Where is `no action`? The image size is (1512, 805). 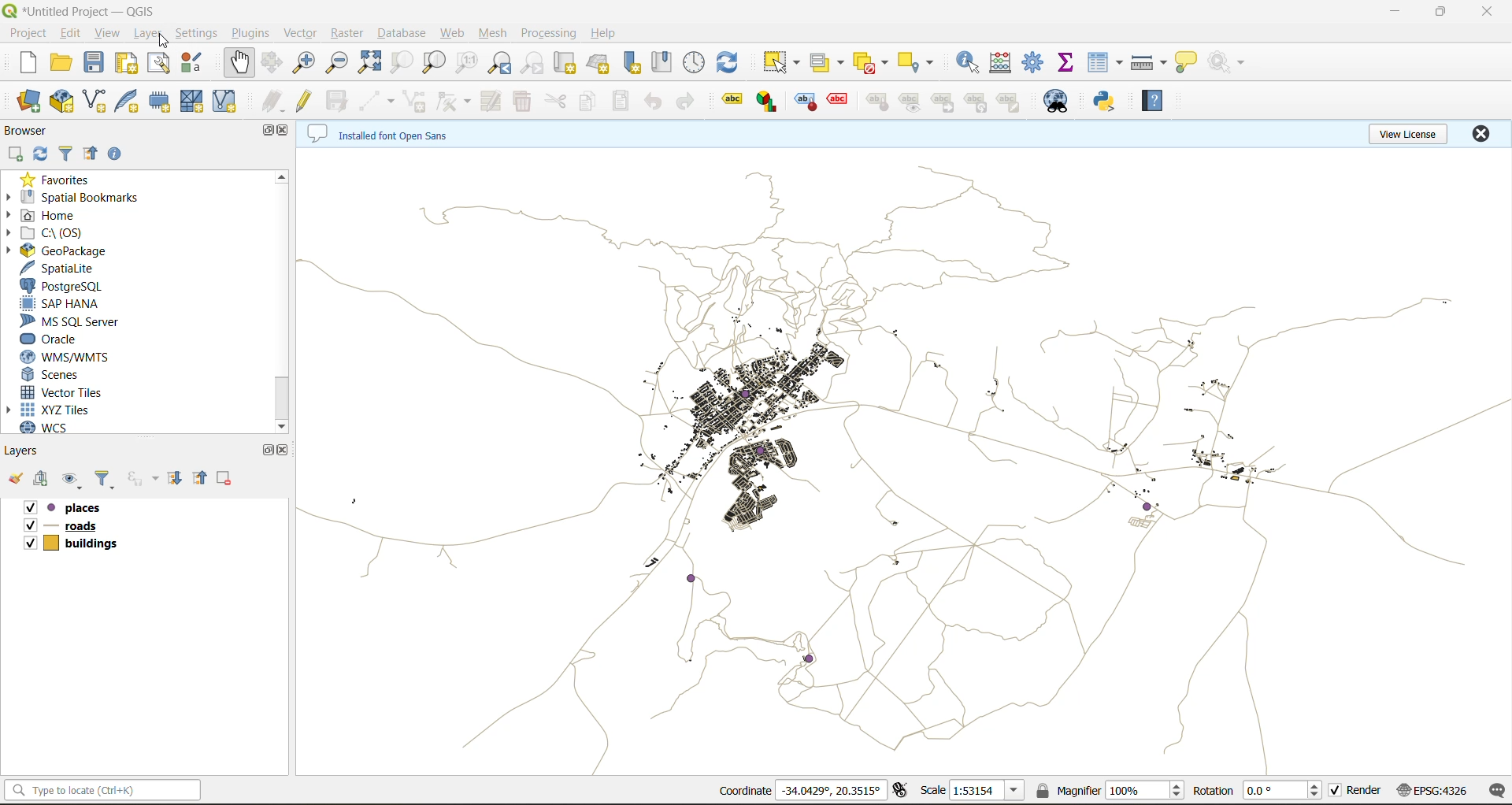
no action is located at coordinates (1227, 63).